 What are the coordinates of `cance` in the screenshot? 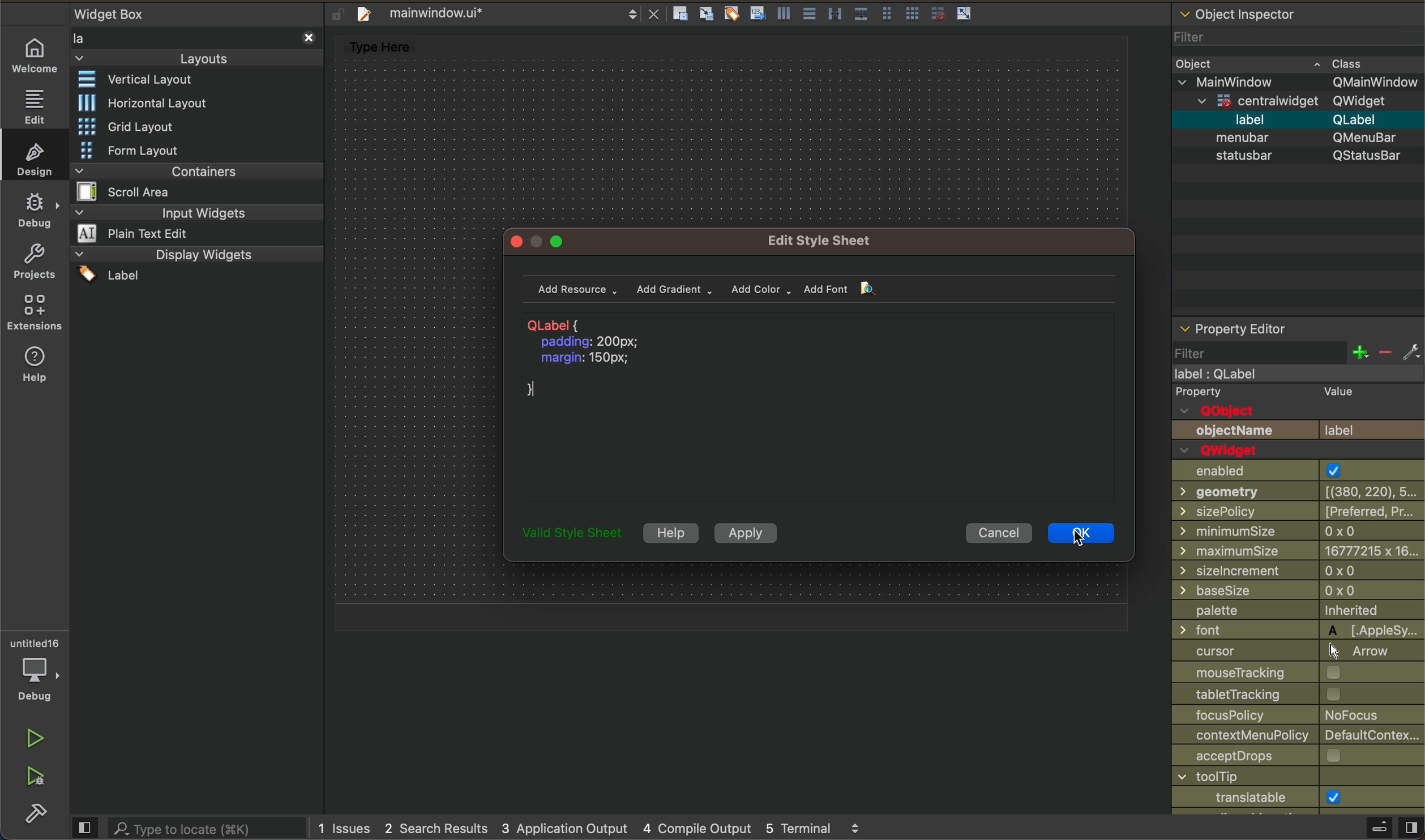 It's located at (995, 533).